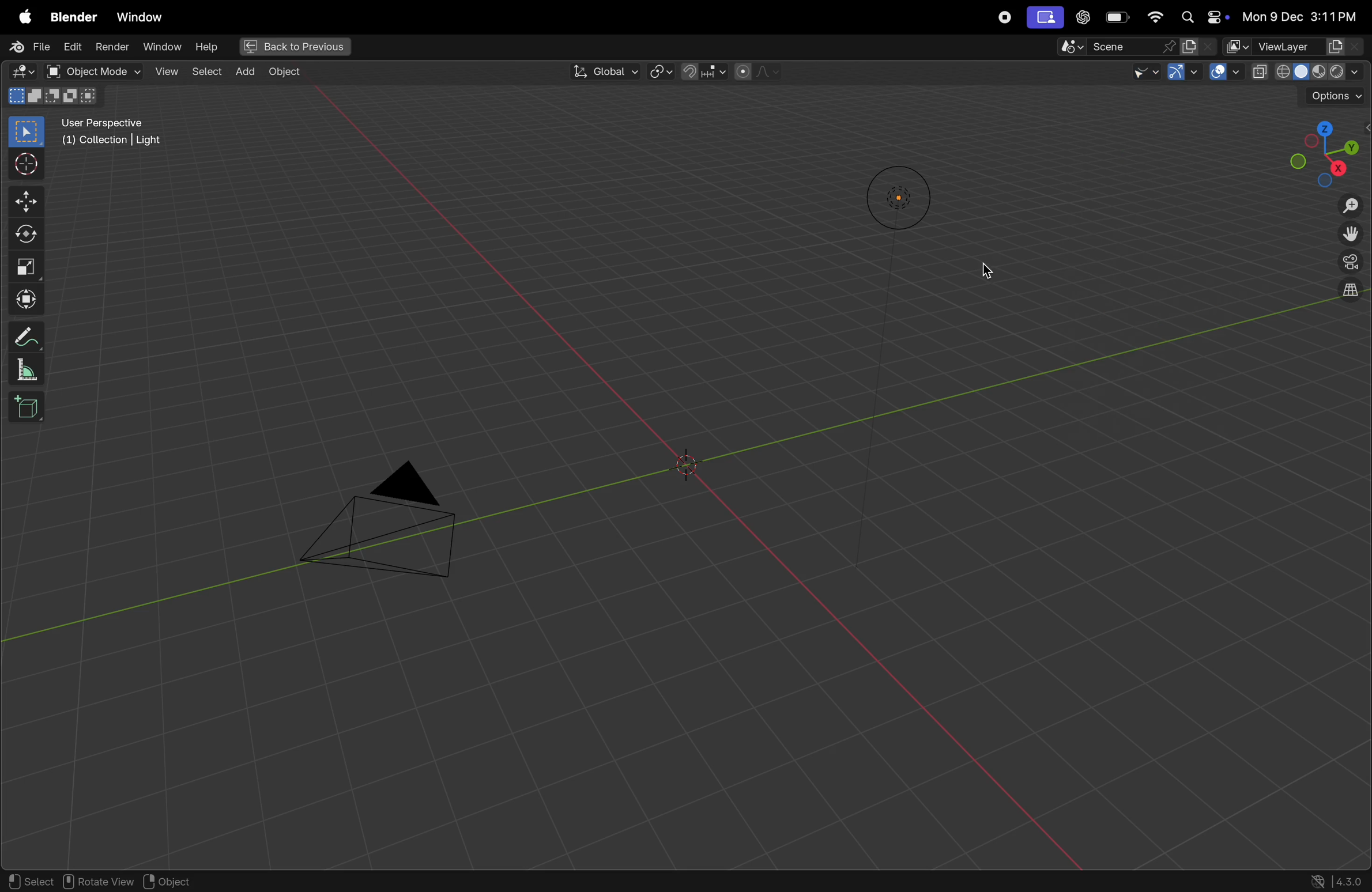 The width and height of the screenshot is (1372, 892). Describe the element at coordinates (1351, 235) in the screenshot. I see `move the view` at that location.